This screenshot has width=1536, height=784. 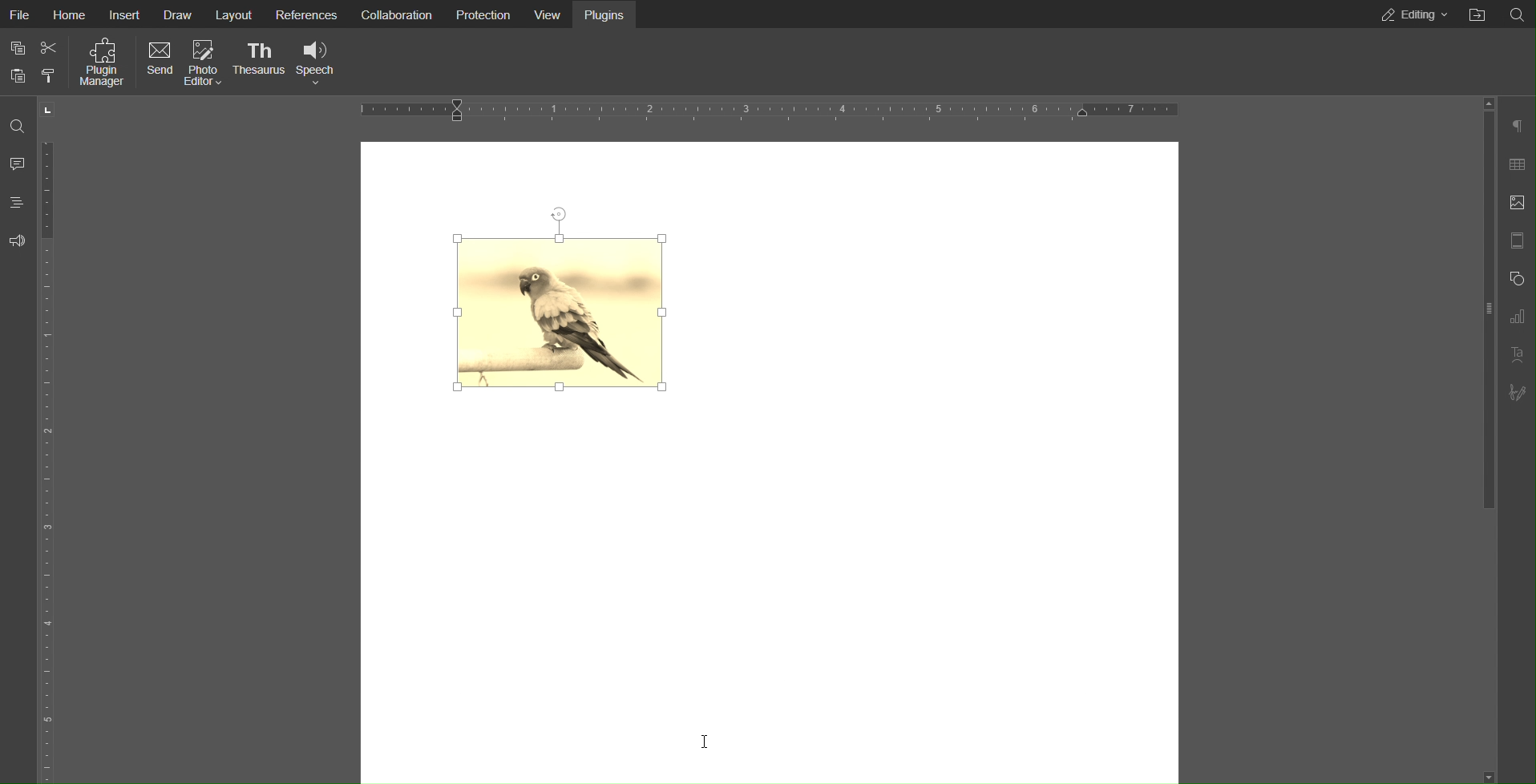 I want to click on Table Settings, so click(x=1518, y=164).